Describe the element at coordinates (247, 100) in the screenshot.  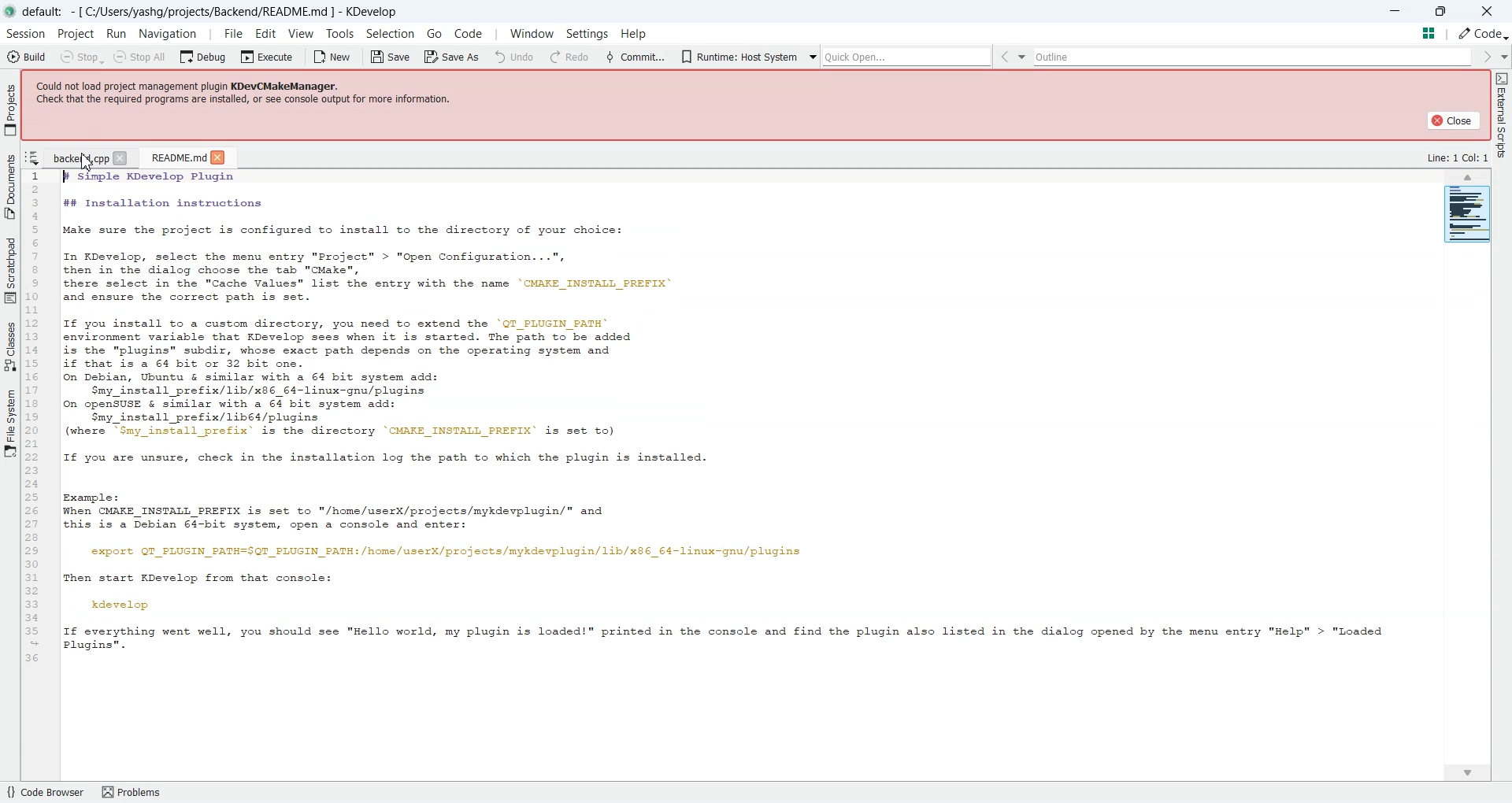
I see `Check that the required programs are installed, or see console output for more information.` at that location.